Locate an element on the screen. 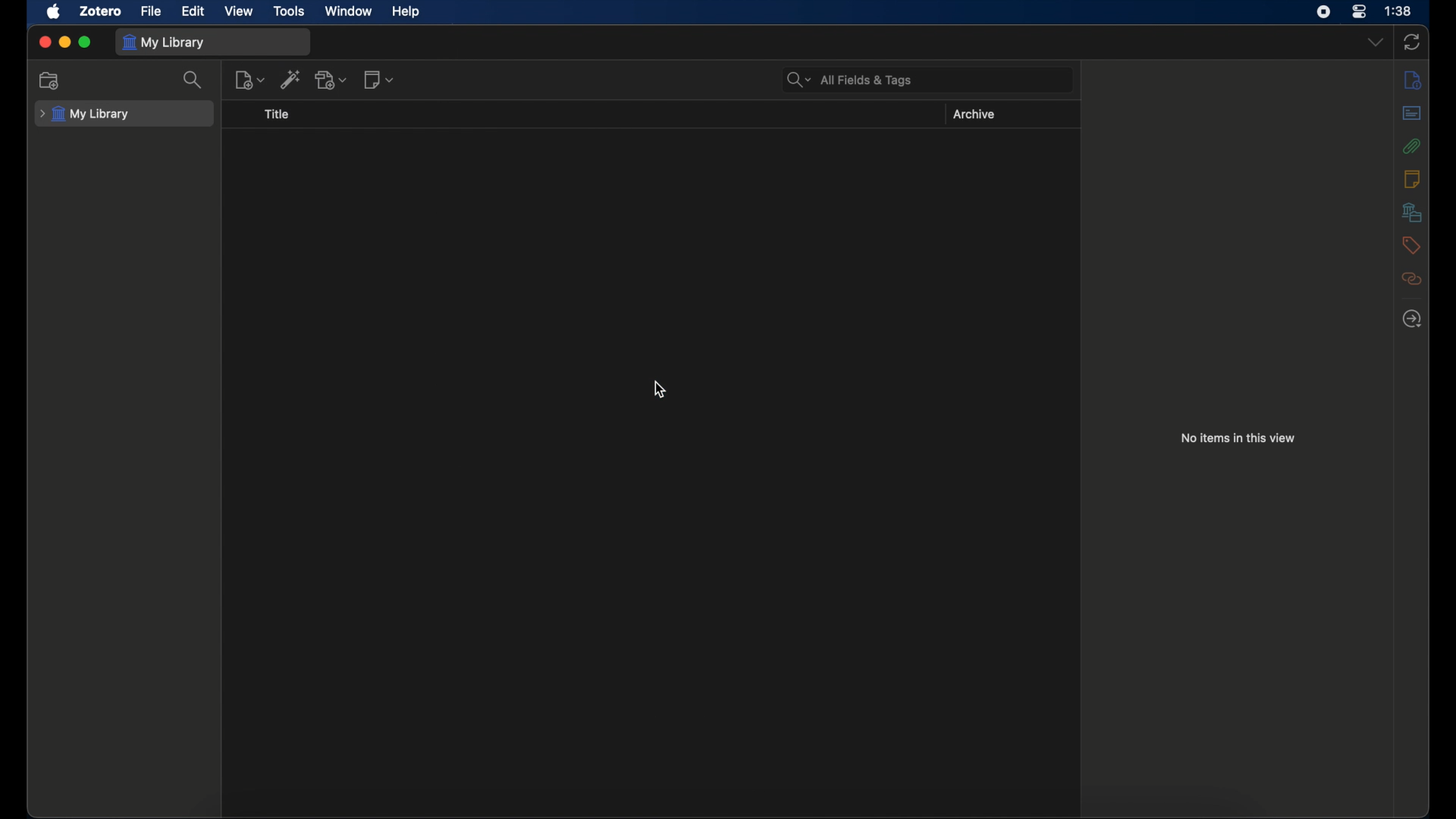 Image resolution: width=1456 pixels, height=819 pixels. close is located at coordinates (44, 42).